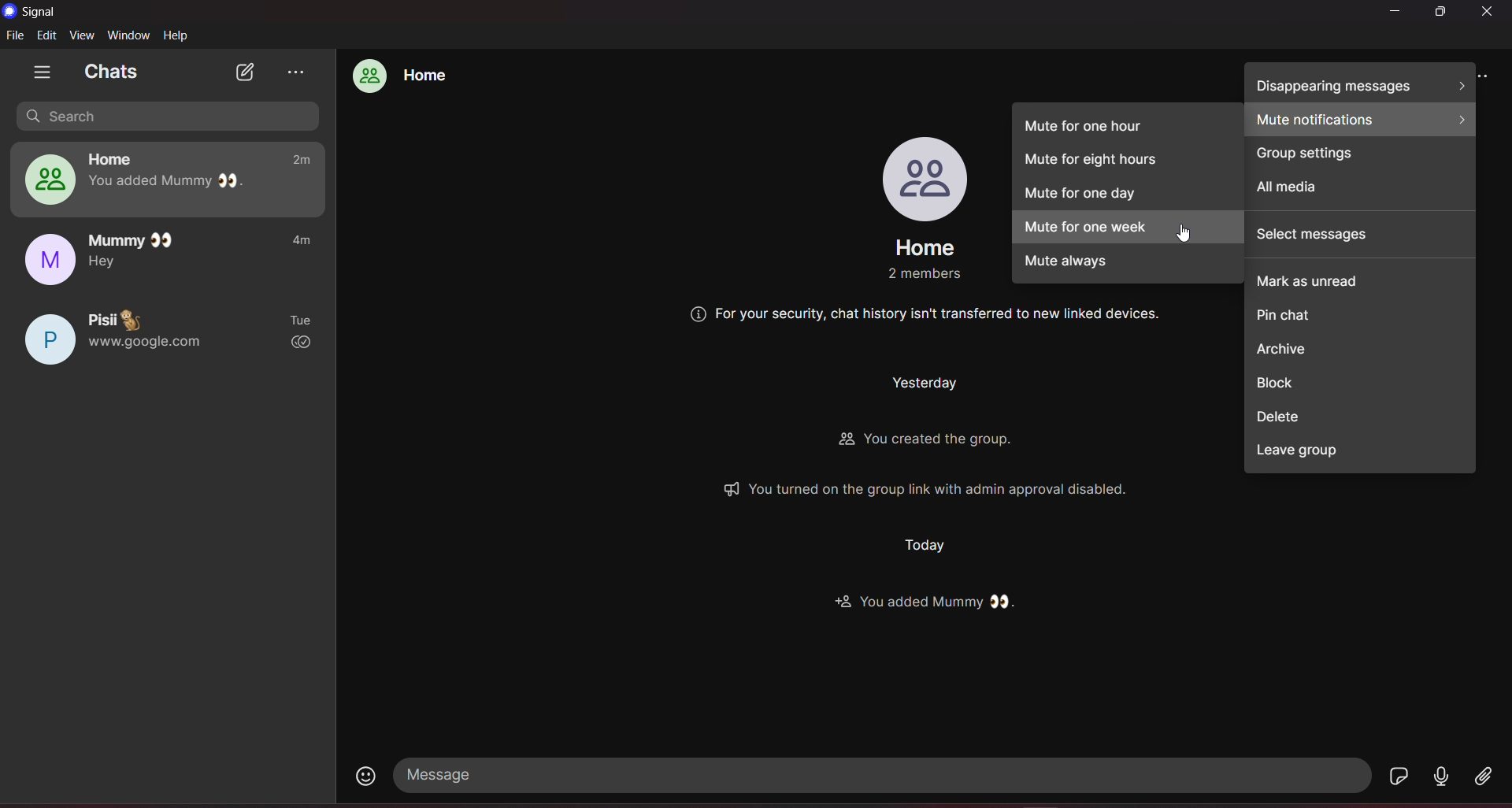 Image resolution: width=1512 pixels, height=808 pixels. What do you see at coordinates (1361, 310) in the screenshot?
I see `pin chat` at bounding box center [1361, 310].